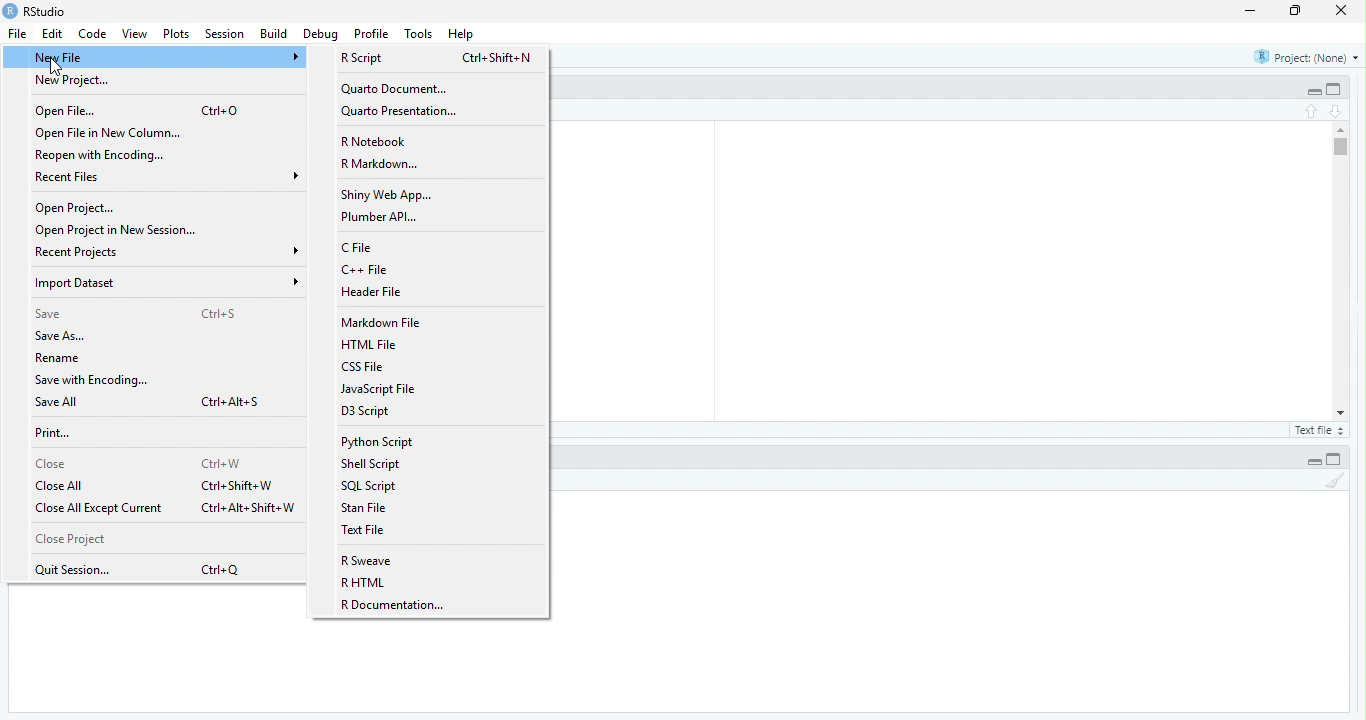  I want to click on Print..., so click(54, 433).